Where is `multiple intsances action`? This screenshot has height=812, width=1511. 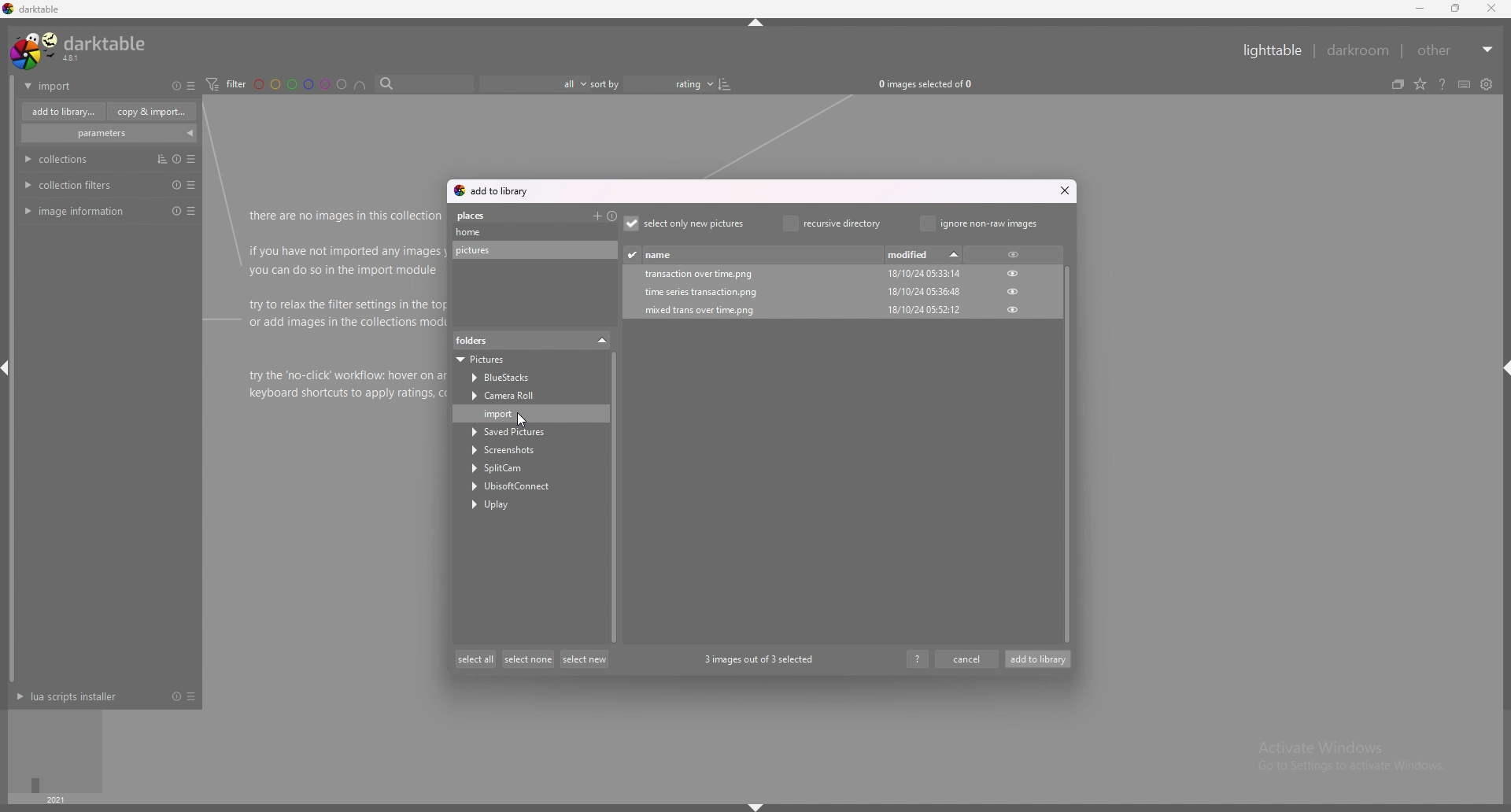
multiple intsances action is located at coordinates (157, 158).